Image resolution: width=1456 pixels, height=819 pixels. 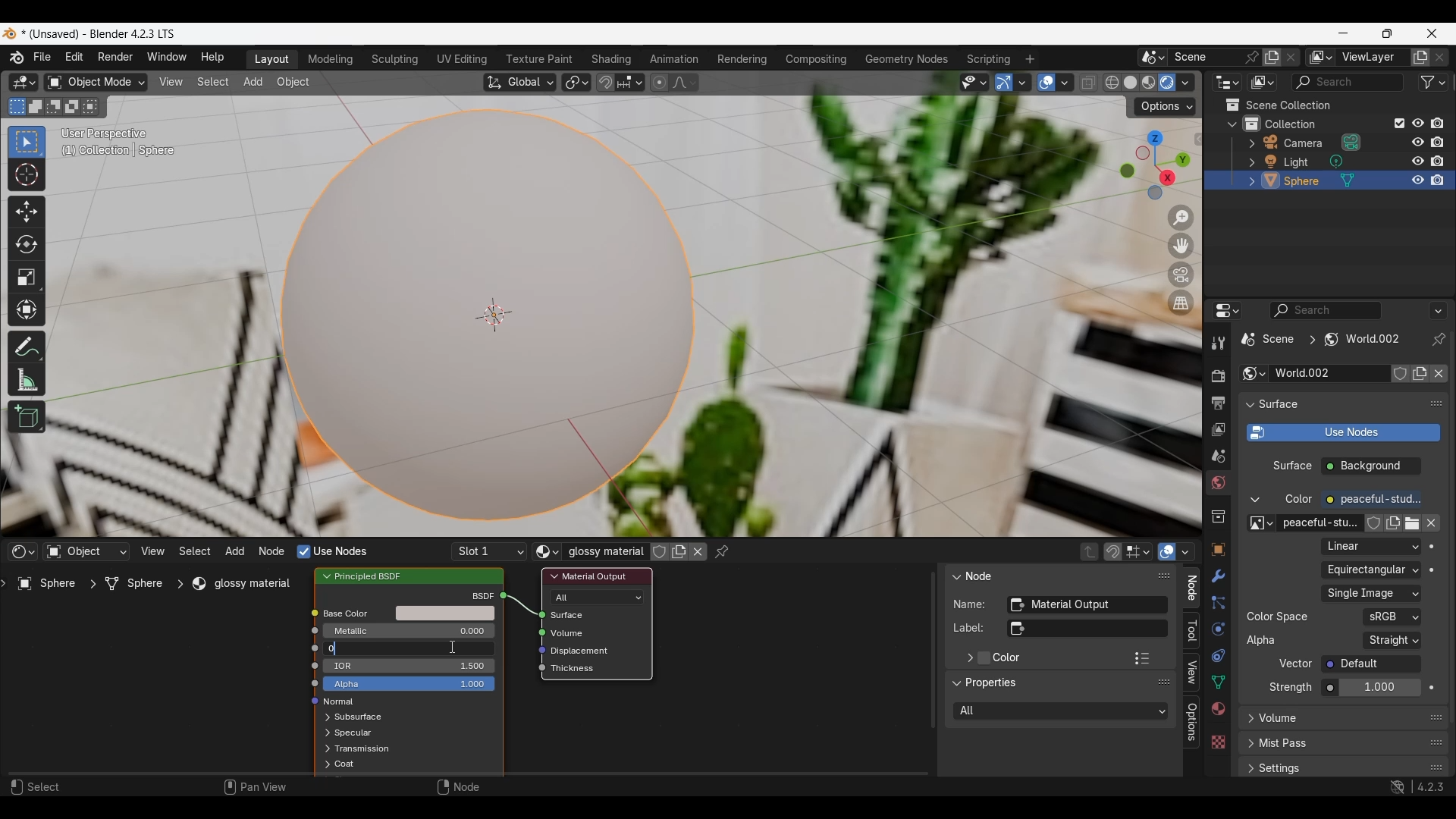 What do you see at coordinates (1400, 373) in the screenshot?
I see `Fake user` at bounding box center [1400, 373].